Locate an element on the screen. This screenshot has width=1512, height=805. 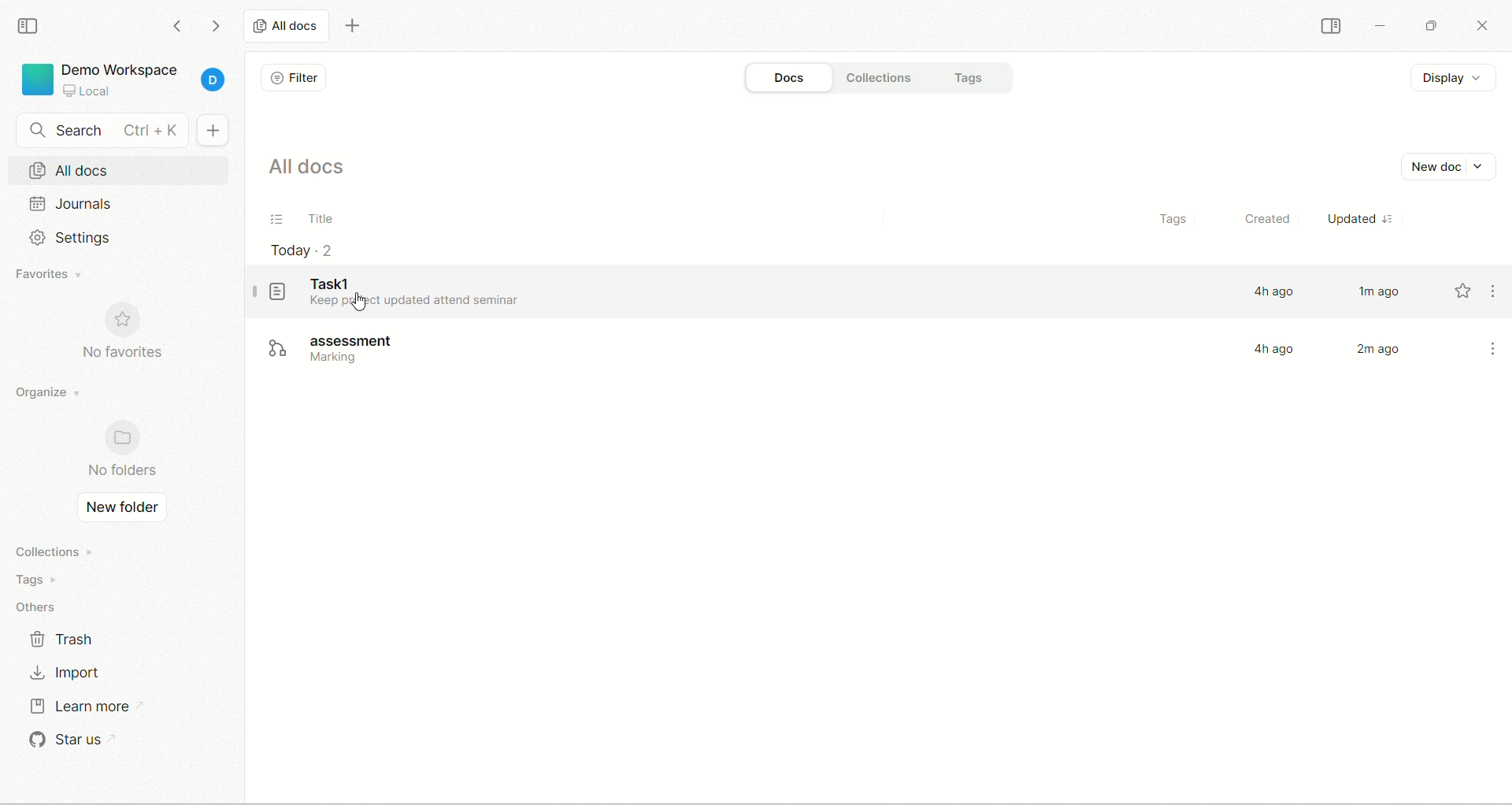
close is located at coordinates (1480, 24).